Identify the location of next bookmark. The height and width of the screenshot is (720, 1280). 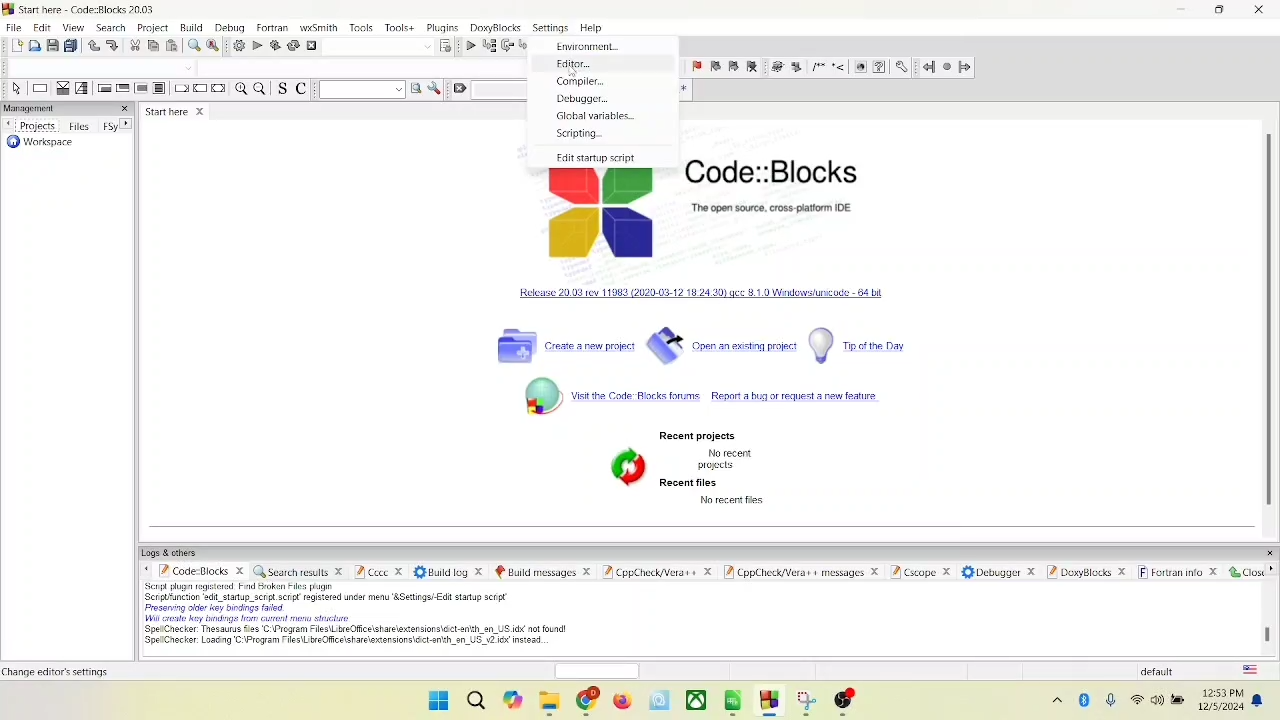
(733, 65).